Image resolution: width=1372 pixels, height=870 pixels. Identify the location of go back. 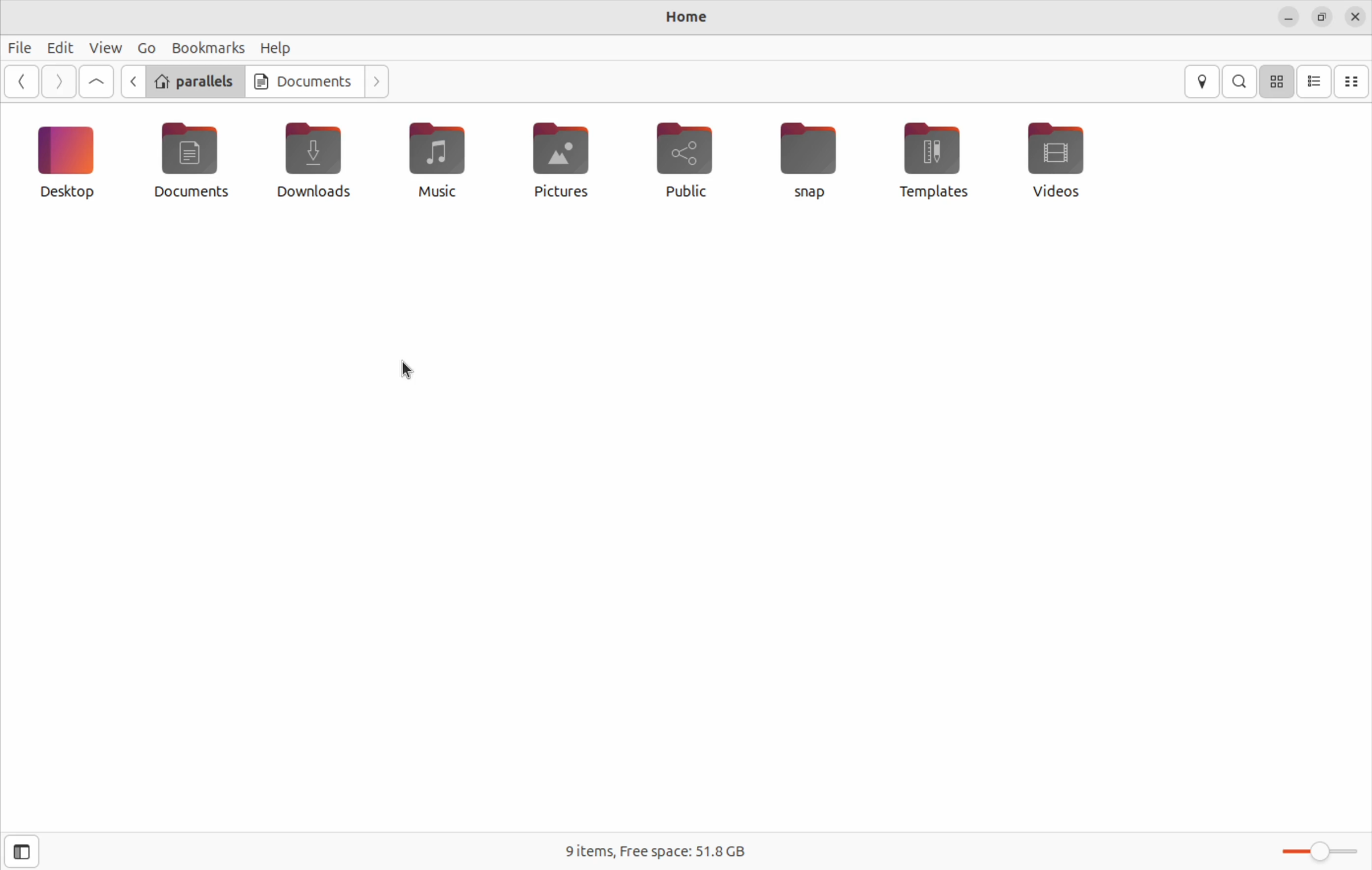
(132, 81).